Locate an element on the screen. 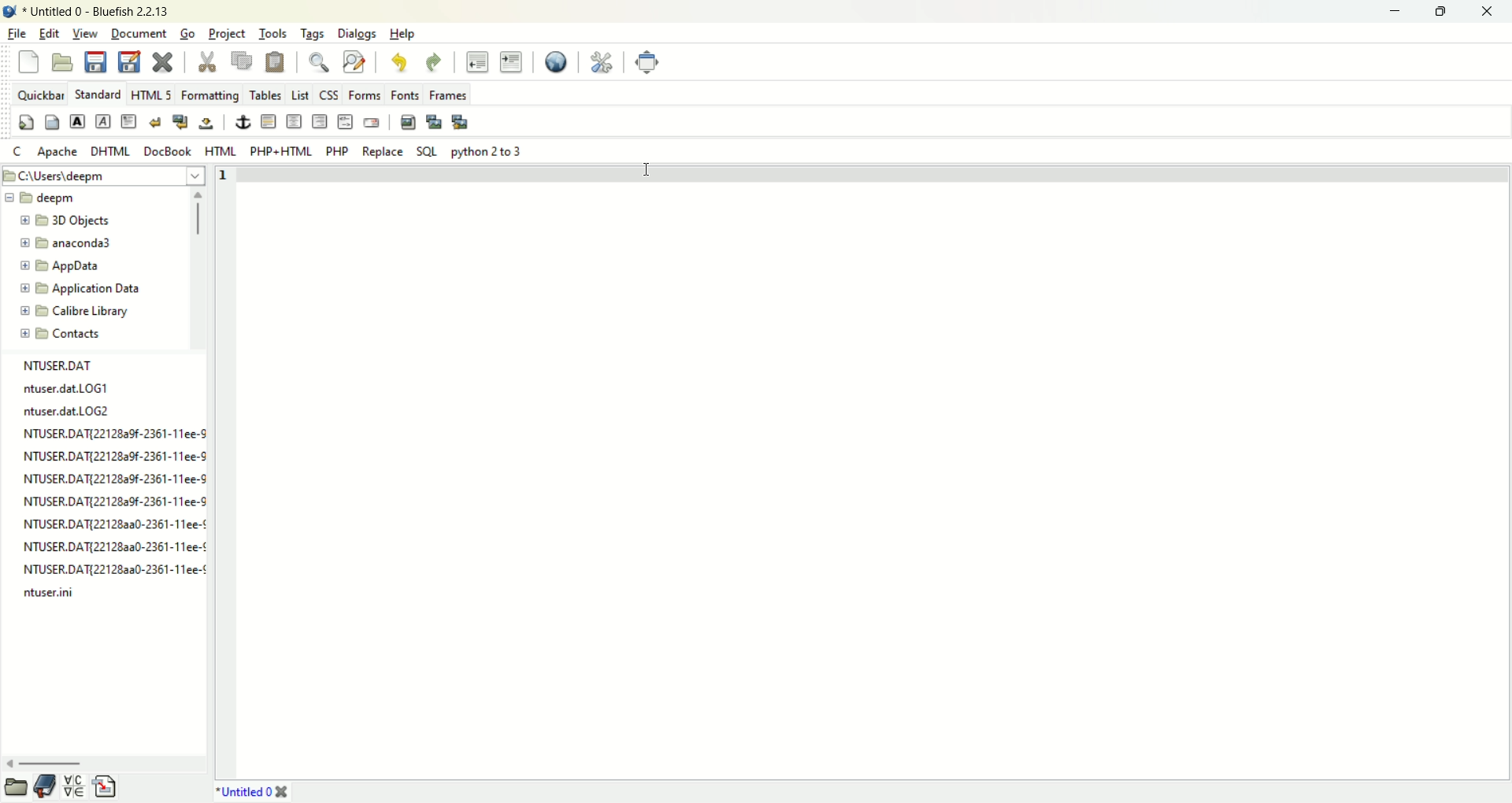  anaconda3 is located at coordinates (77, 242).